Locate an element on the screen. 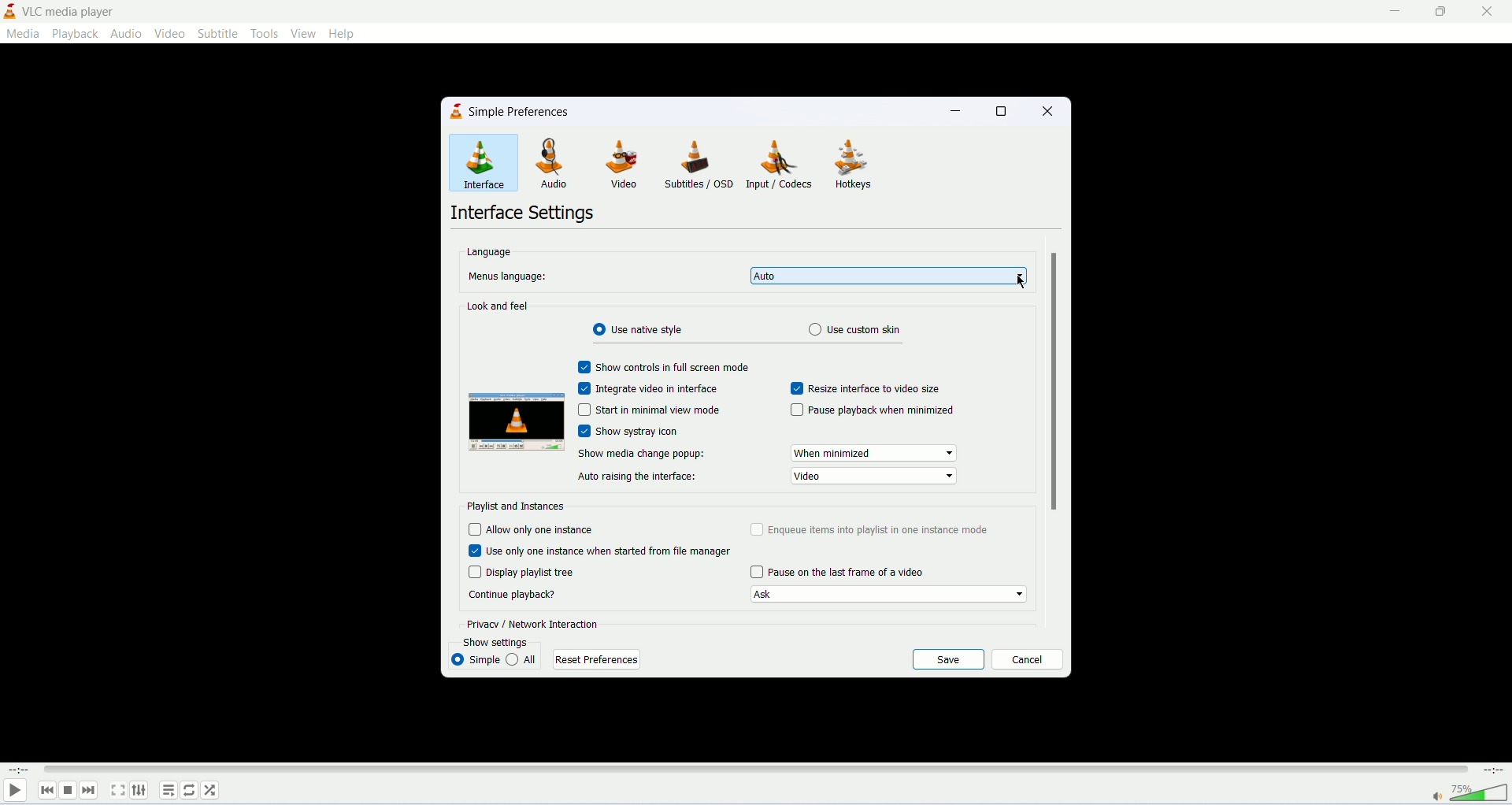 The image size is (1512, 805). vlc media player is located at coordinates (73, 11).